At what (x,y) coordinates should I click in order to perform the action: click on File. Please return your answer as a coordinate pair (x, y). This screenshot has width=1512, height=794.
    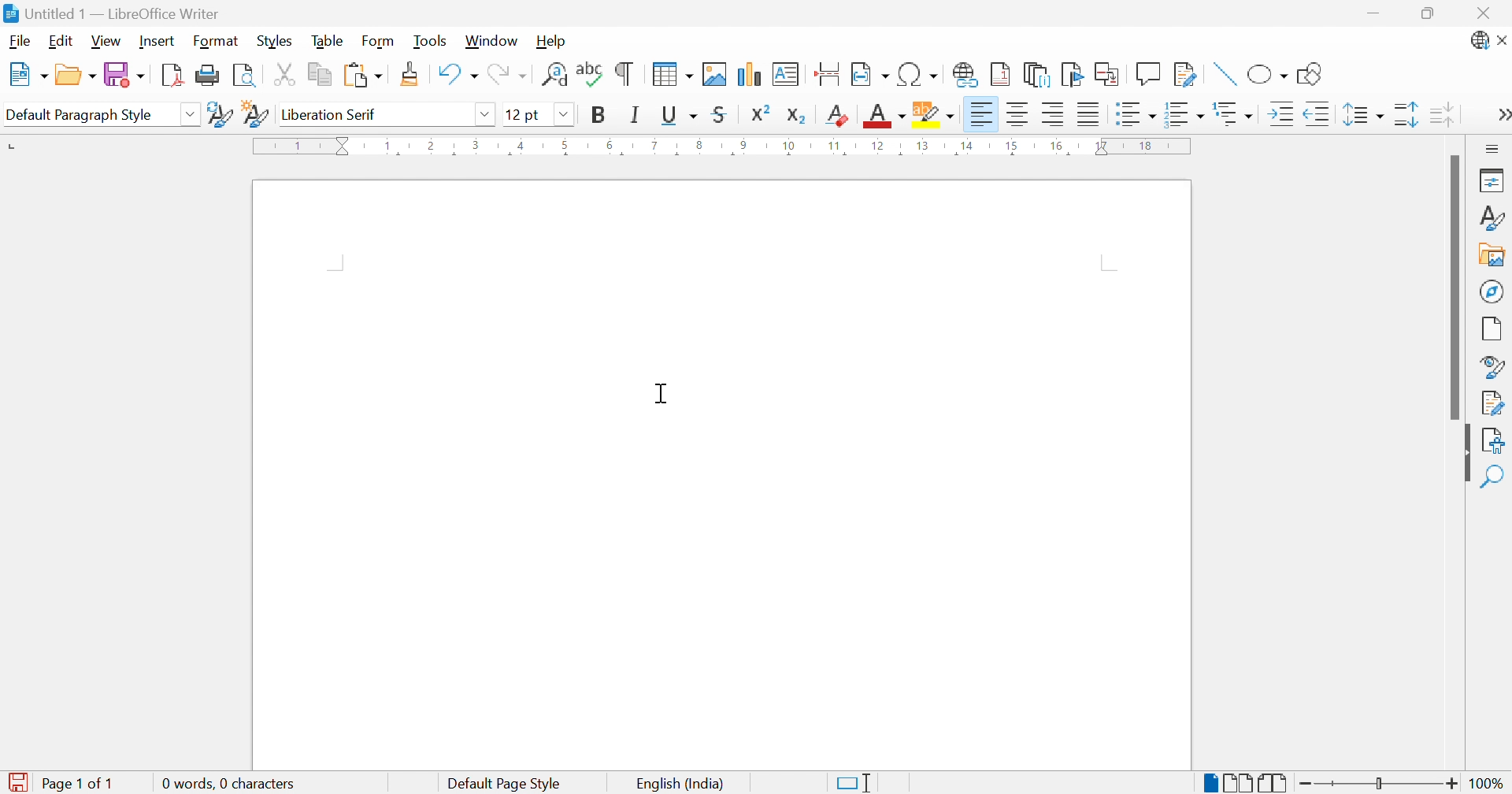
    Looking at the image, I should click on (21, 43).